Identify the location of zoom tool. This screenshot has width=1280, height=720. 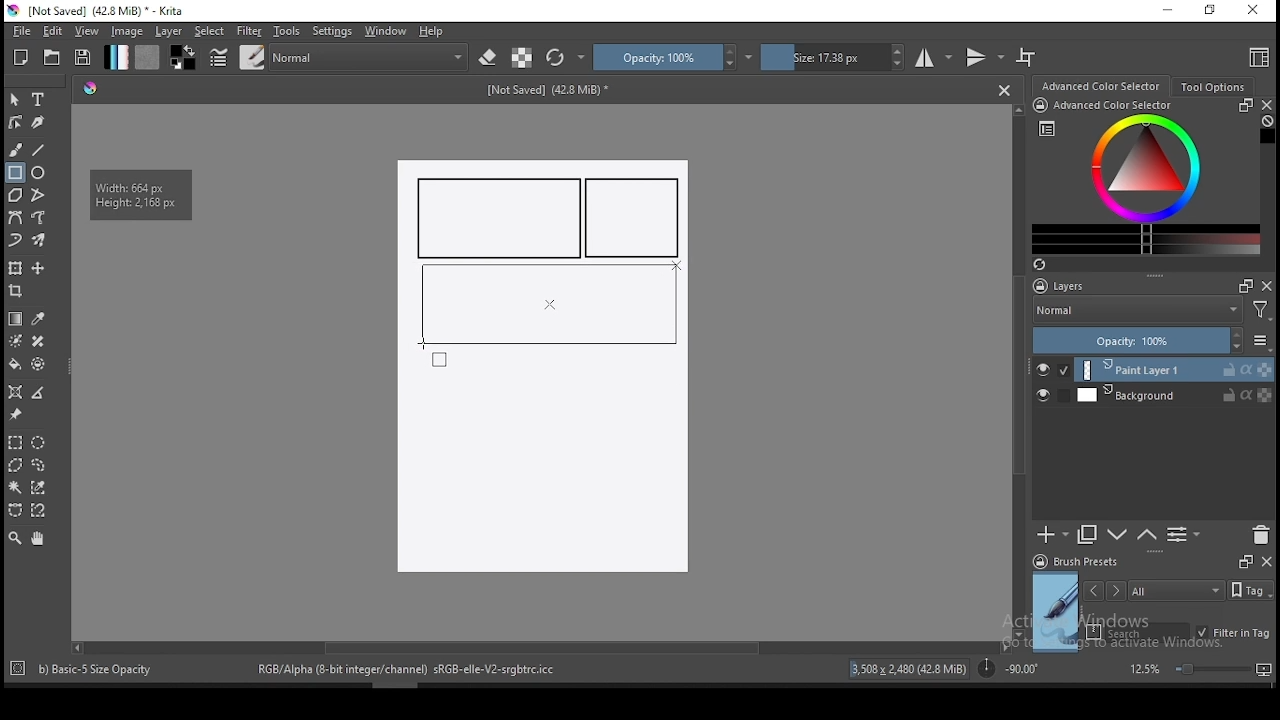
(15, 537).